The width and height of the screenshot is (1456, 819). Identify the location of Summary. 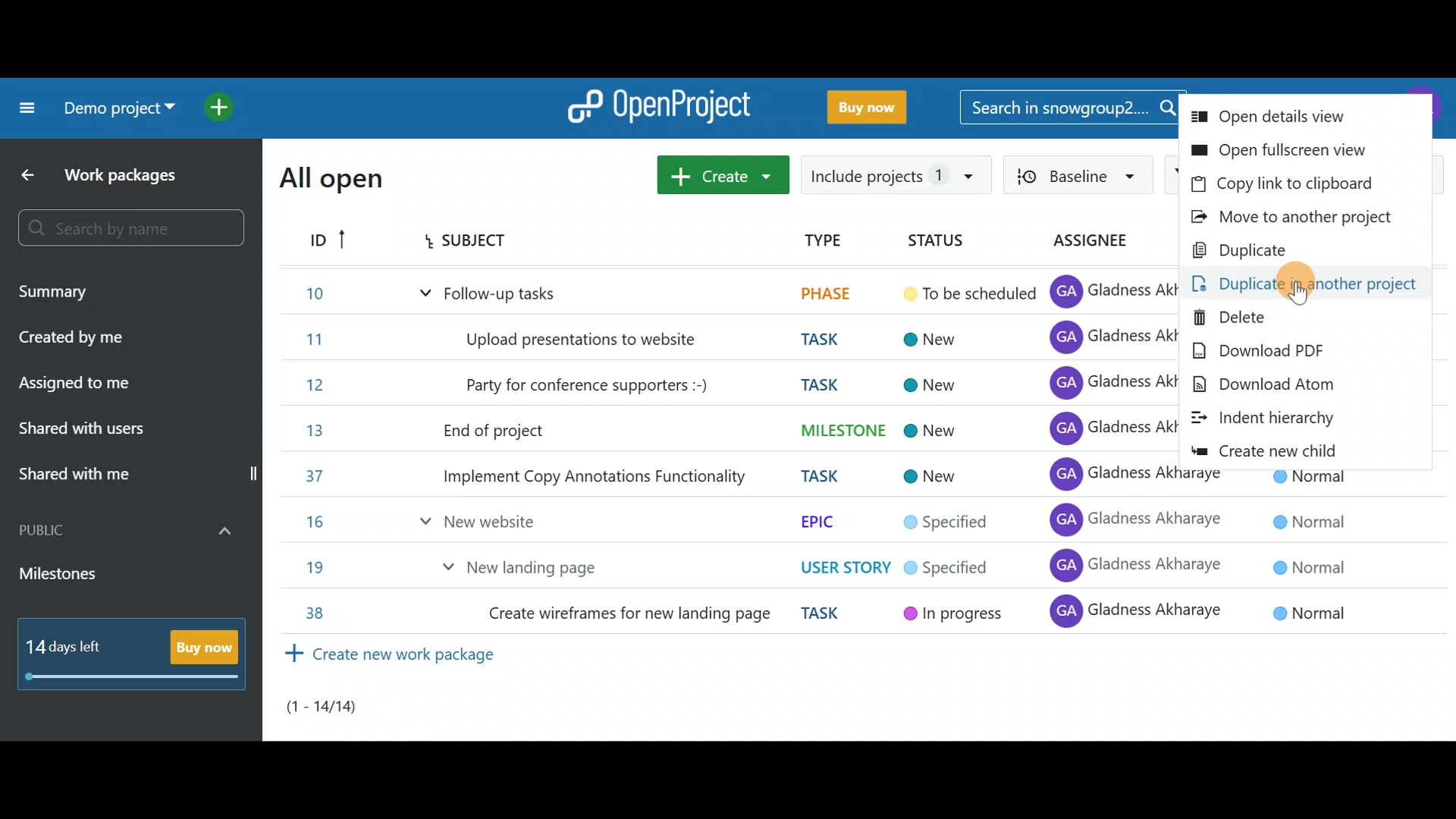
(94, 291).